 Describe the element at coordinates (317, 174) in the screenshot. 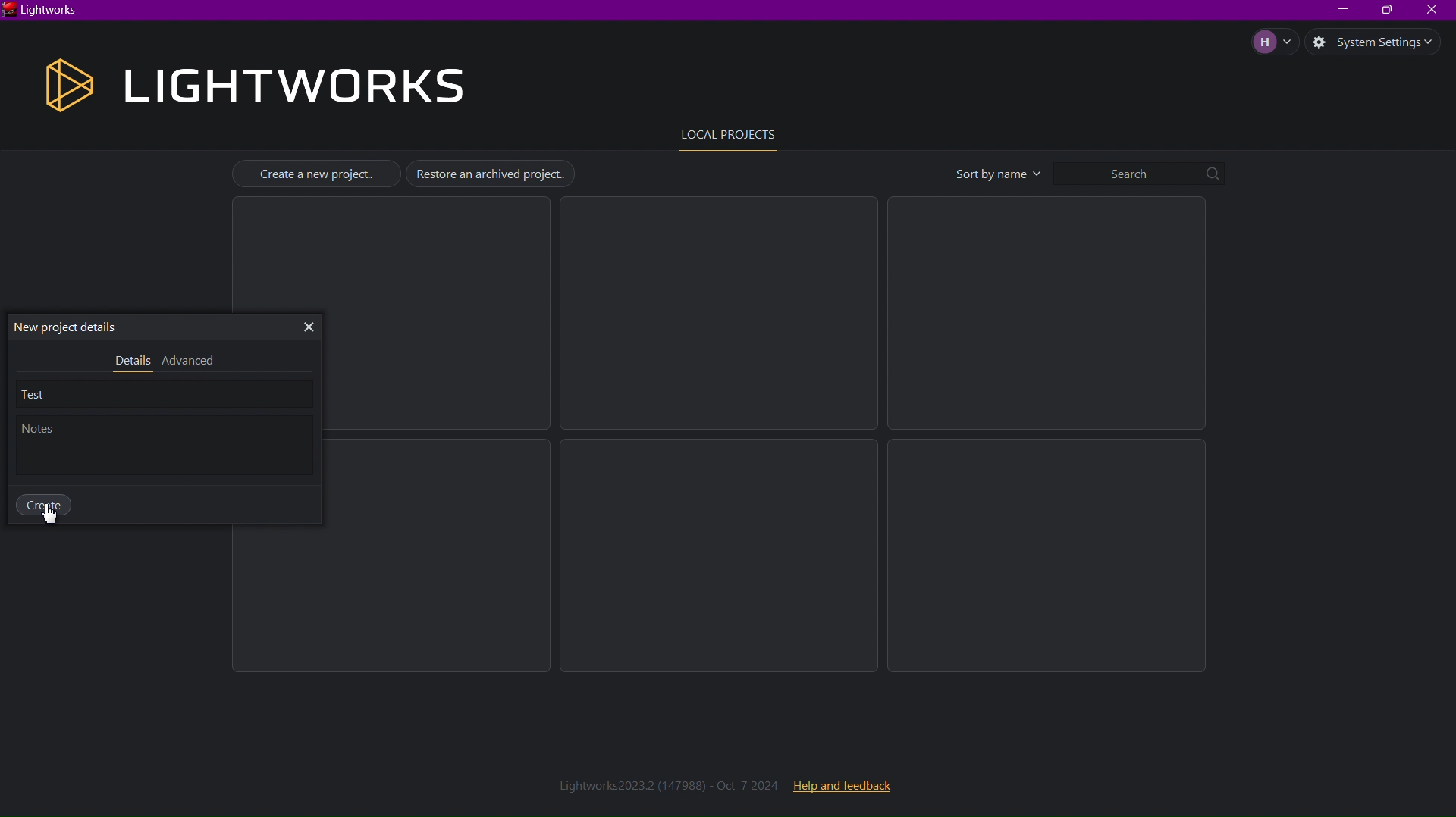

I see `Create a new project` at that location.